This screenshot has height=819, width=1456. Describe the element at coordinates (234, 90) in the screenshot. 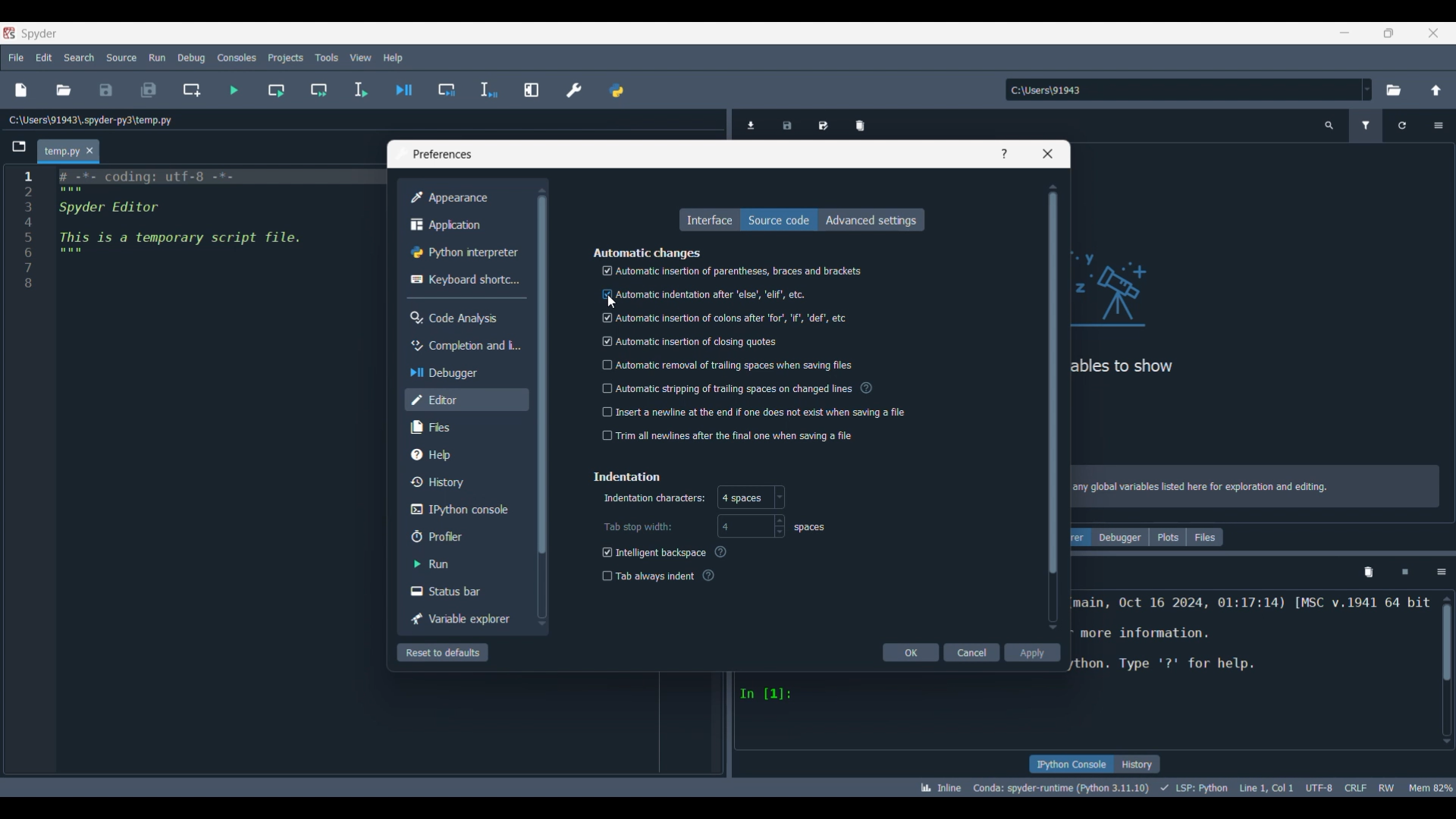

I see `Run file` at that location.